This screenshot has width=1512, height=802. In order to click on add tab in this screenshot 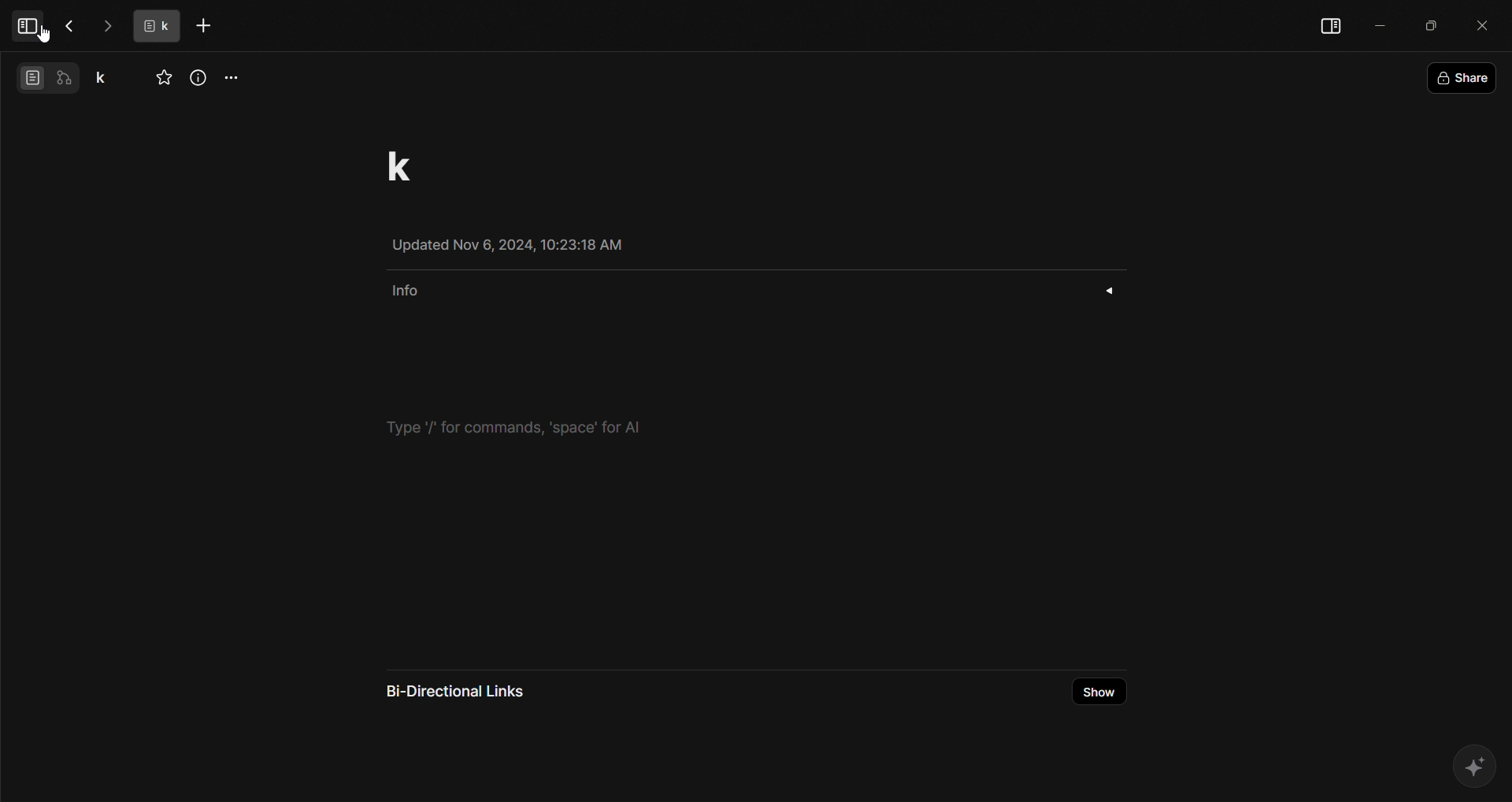, I will do `click(207, 26)`.